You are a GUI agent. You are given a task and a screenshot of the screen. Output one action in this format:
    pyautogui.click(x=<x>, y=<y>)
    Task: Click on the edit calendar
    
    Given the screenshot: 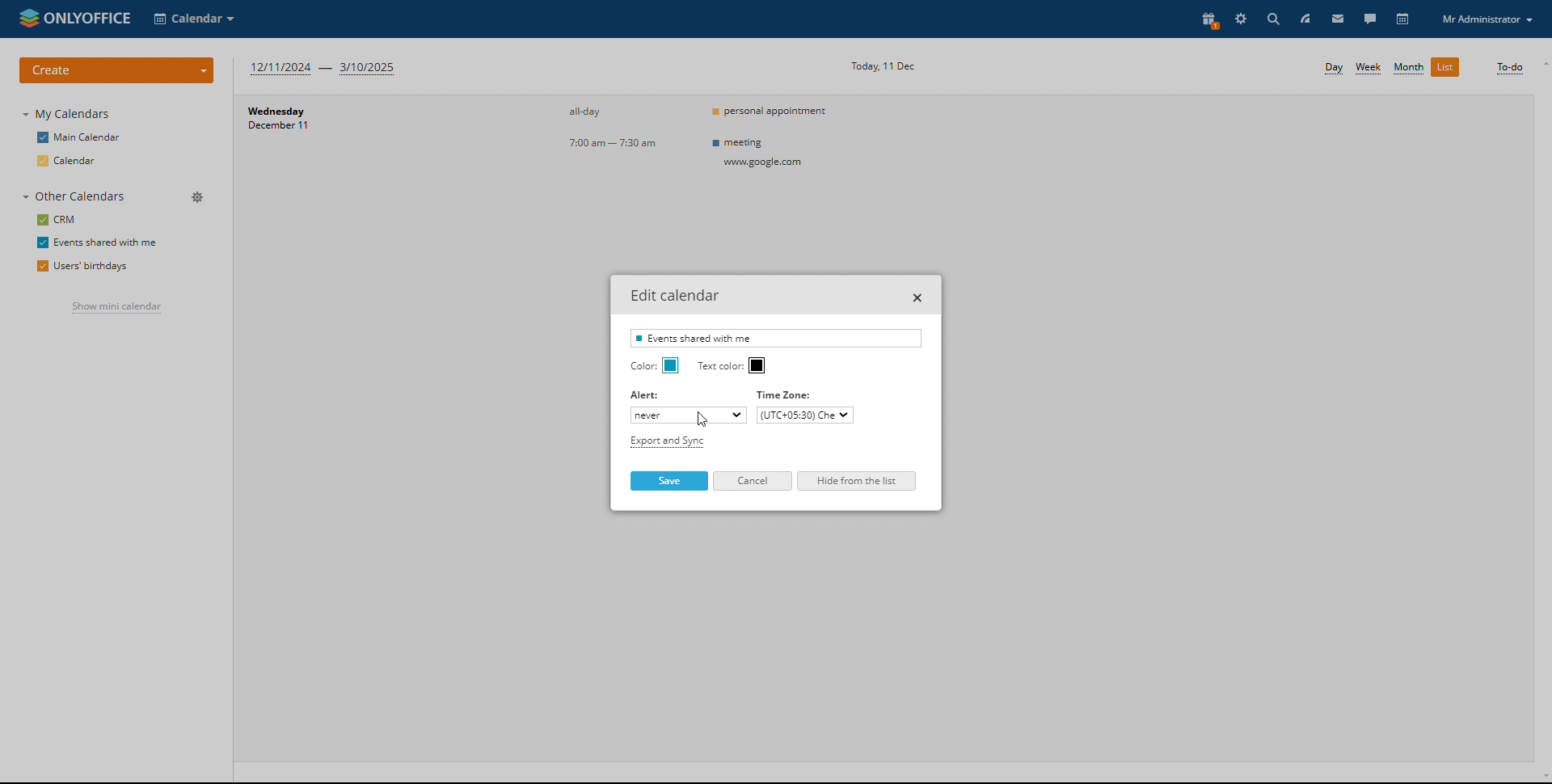 What is the action you would take?
    pyautogui.click(x=198, y=241)
    